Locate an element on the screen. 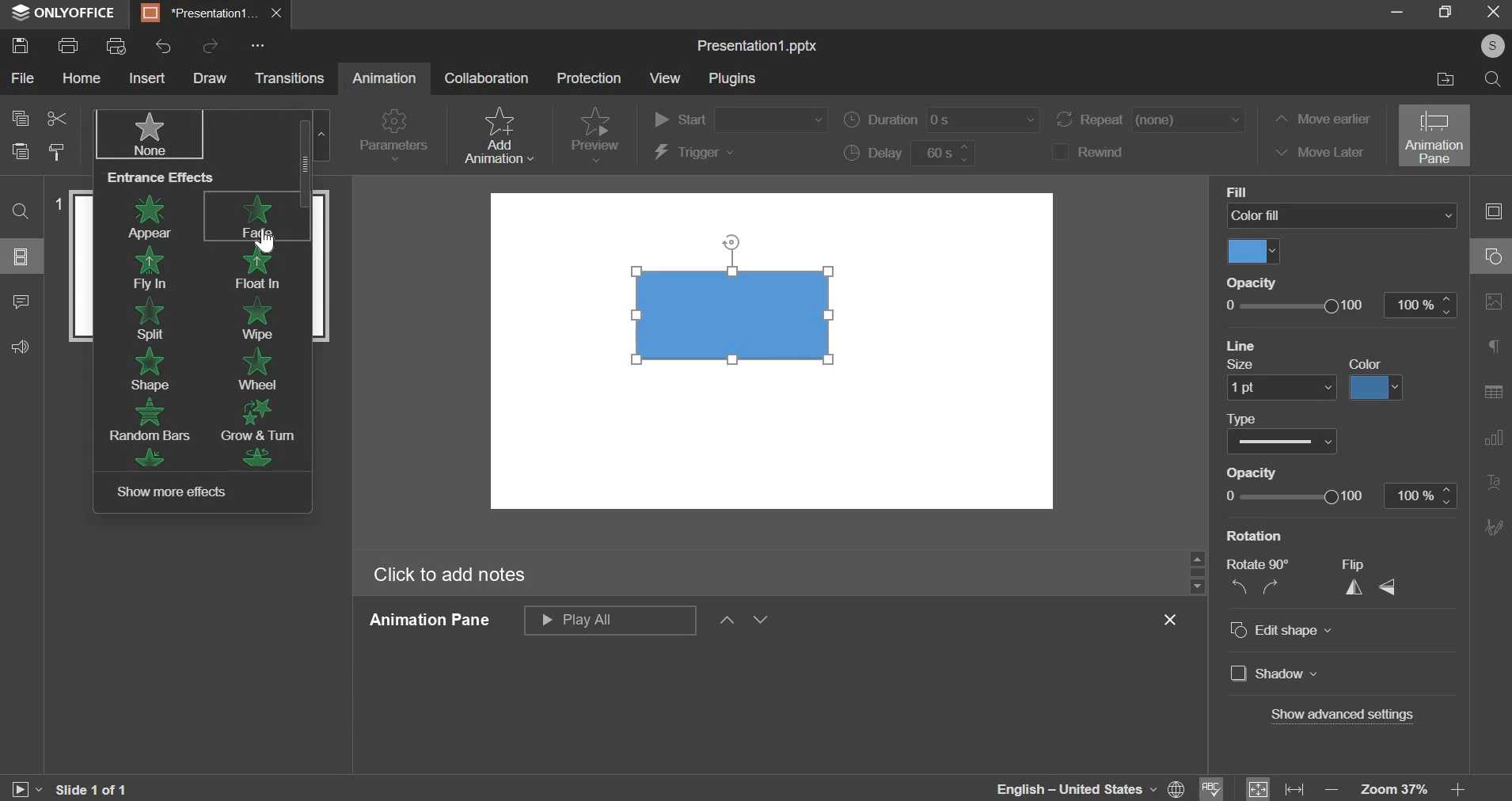 Image resolution: width=1512 pixels, height=801 pixels. rewind is located at coordinates (1111, 152).